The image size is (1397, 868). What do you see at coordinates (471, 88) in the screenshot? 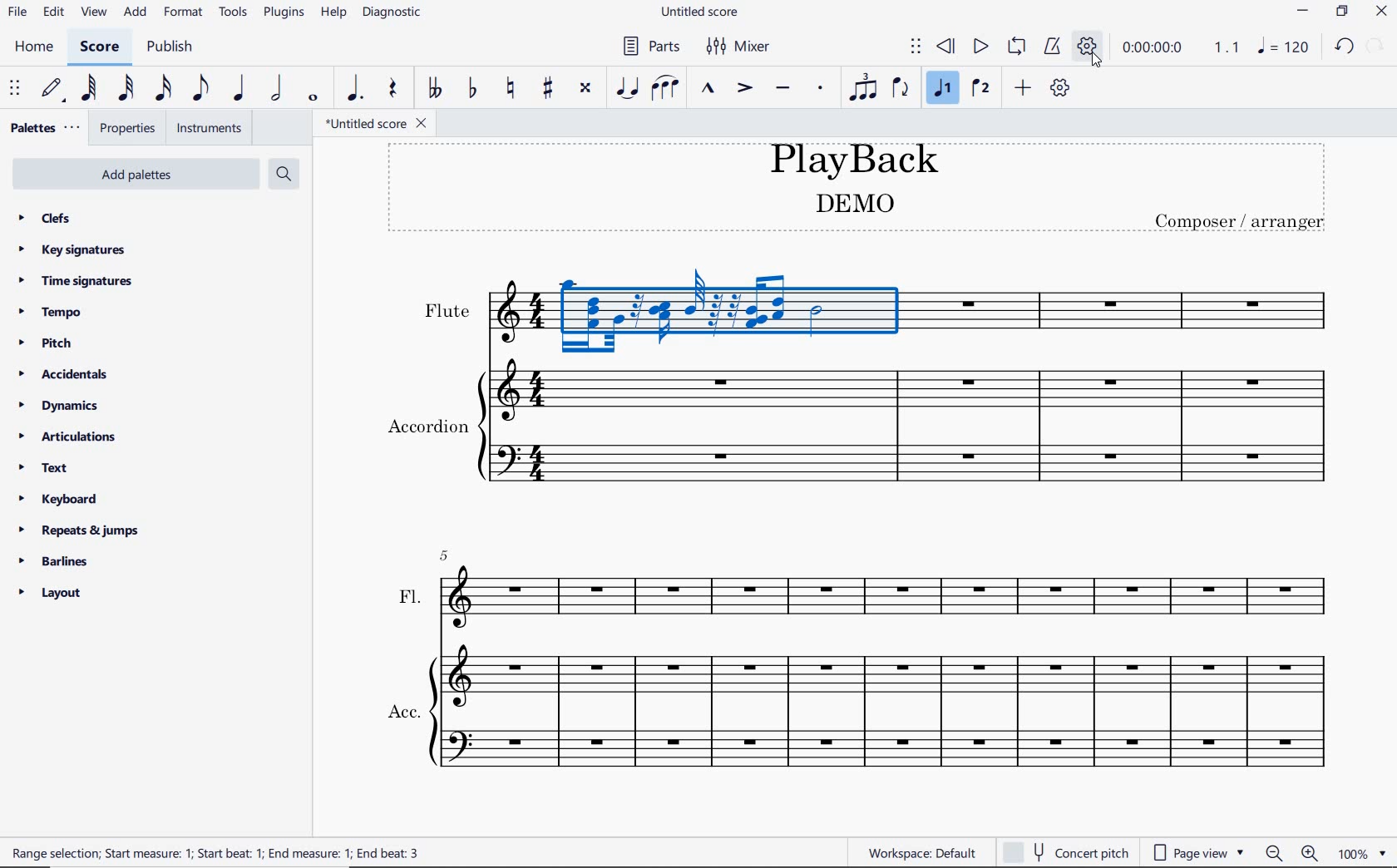
I see `toggle flat` at bounding box center [471, 88].